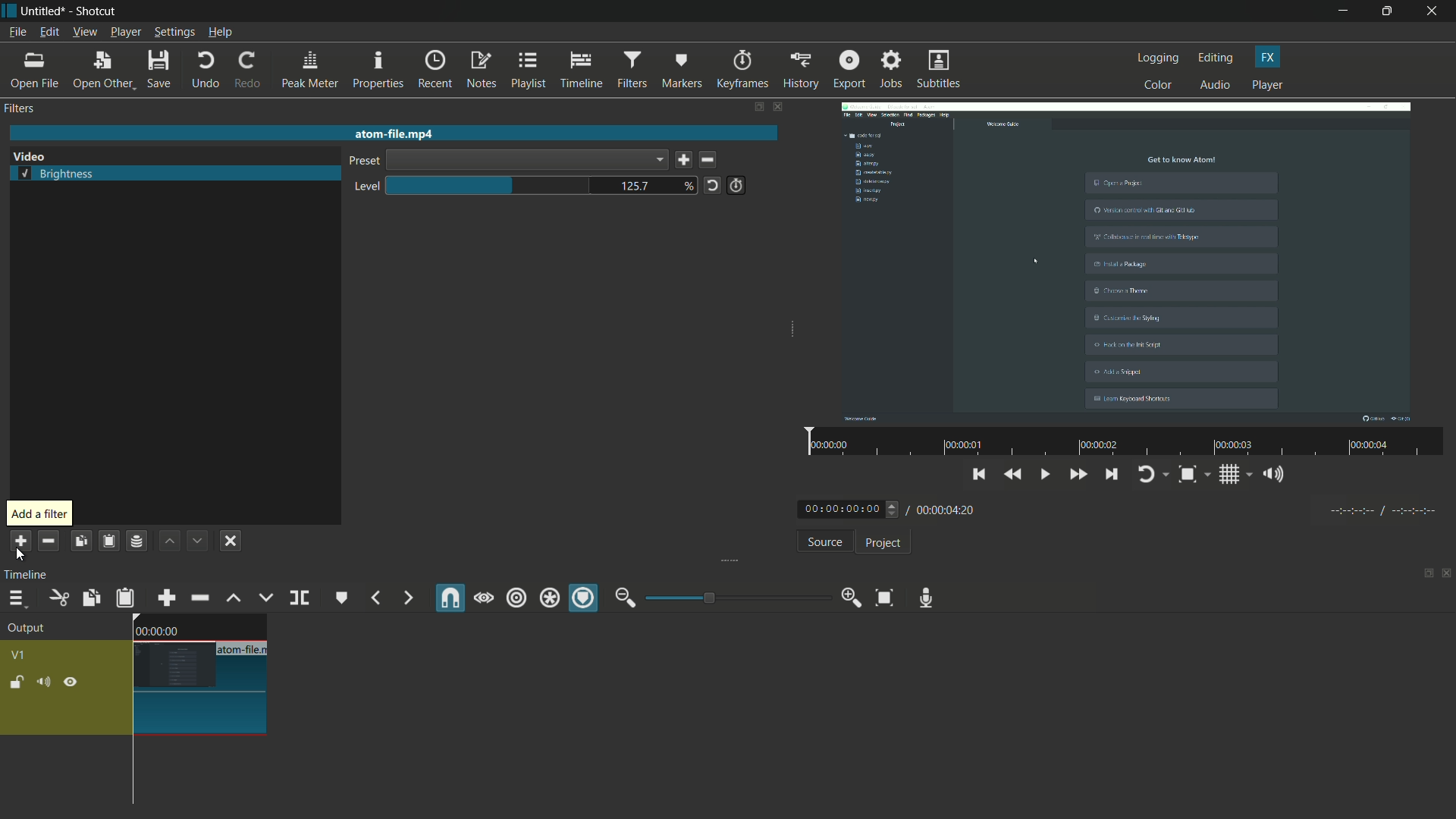  Describe the element at coordinates (127, 32) in the screenshot. I see `player menu` at that location.